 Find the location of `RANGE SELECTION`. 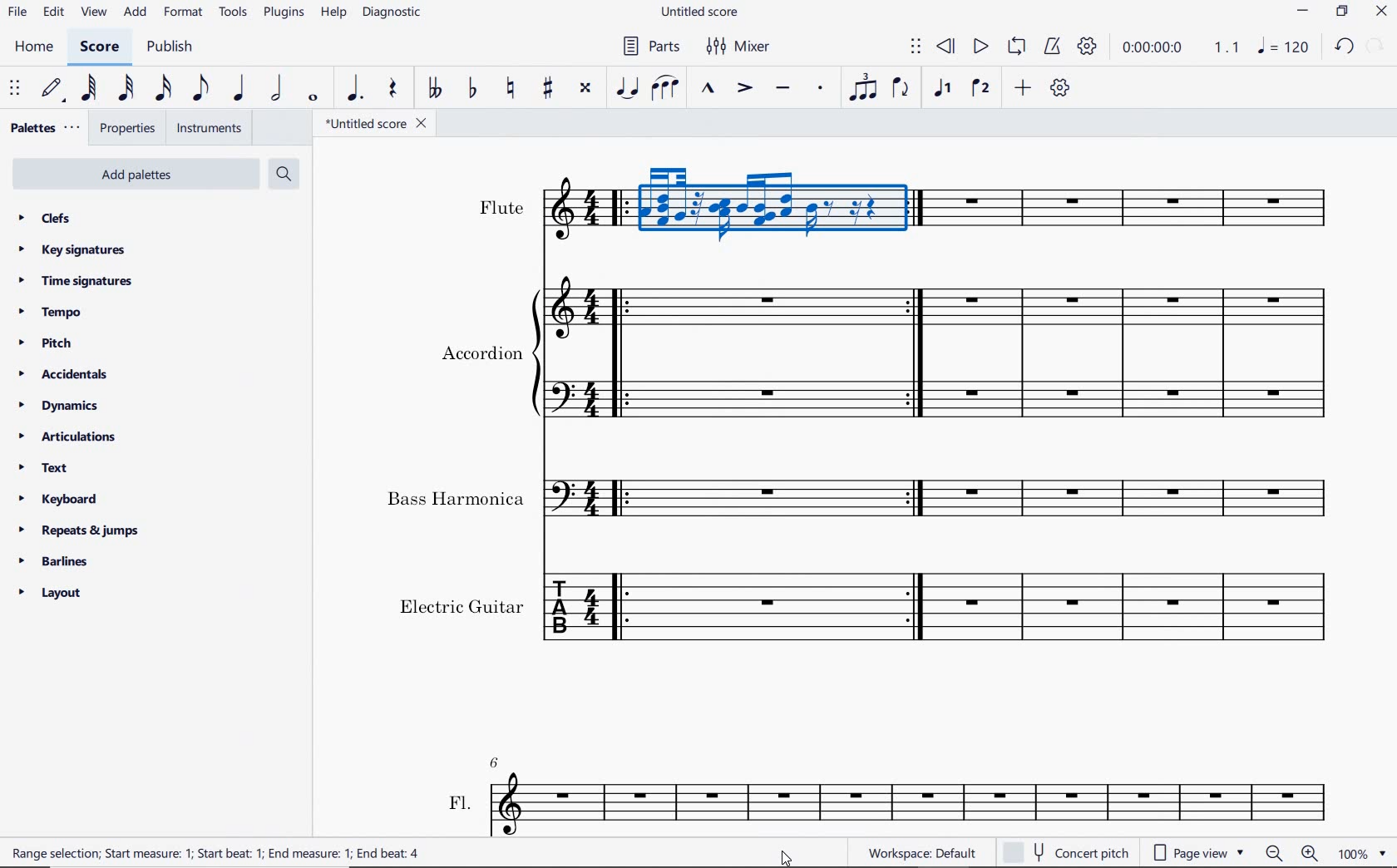

RANGE SELECTION is located at coordinates (218, 854).